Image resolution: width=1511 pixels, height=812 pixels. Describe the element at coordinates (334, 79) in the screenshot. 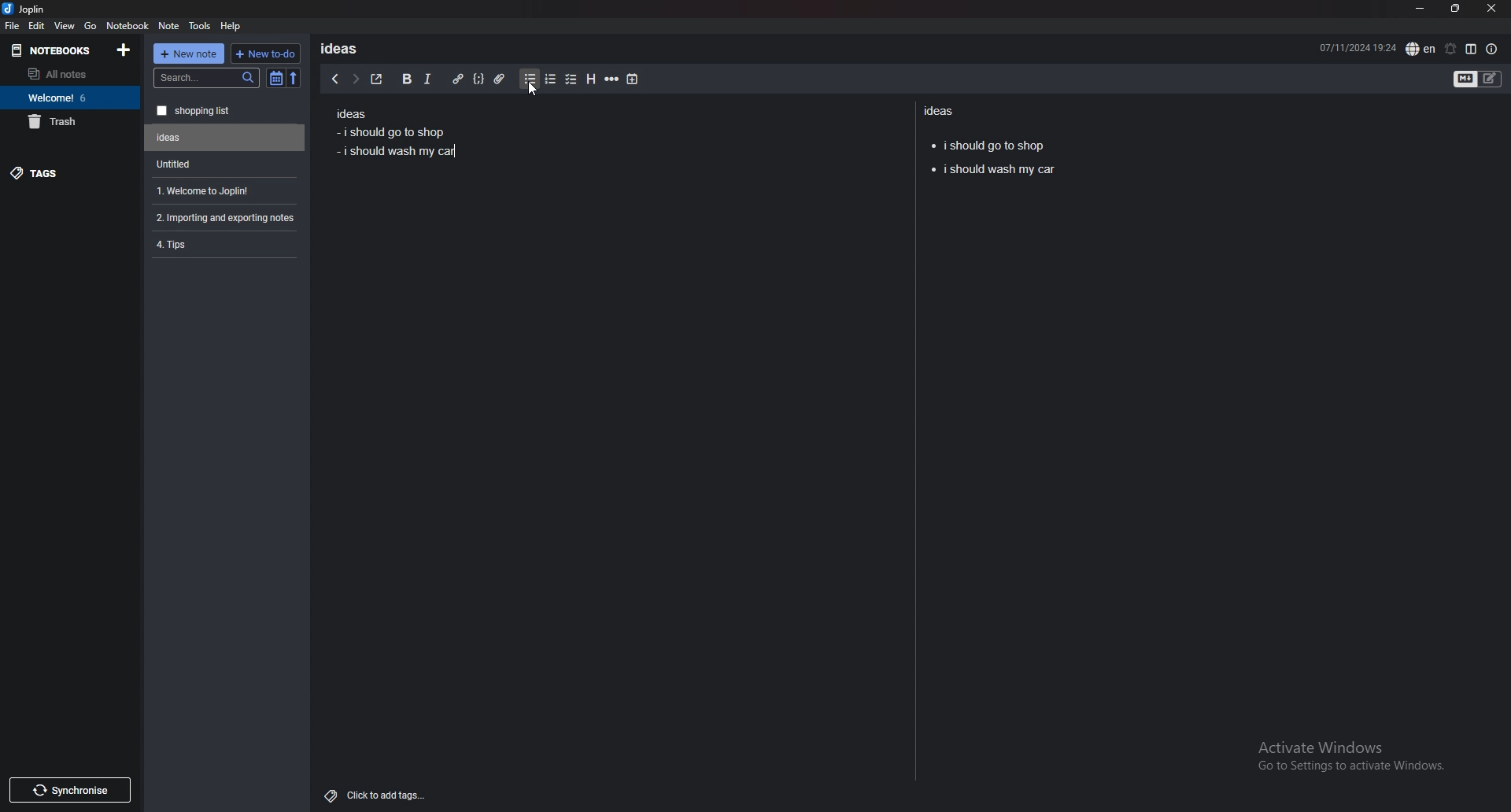

I see `previous` at that location.